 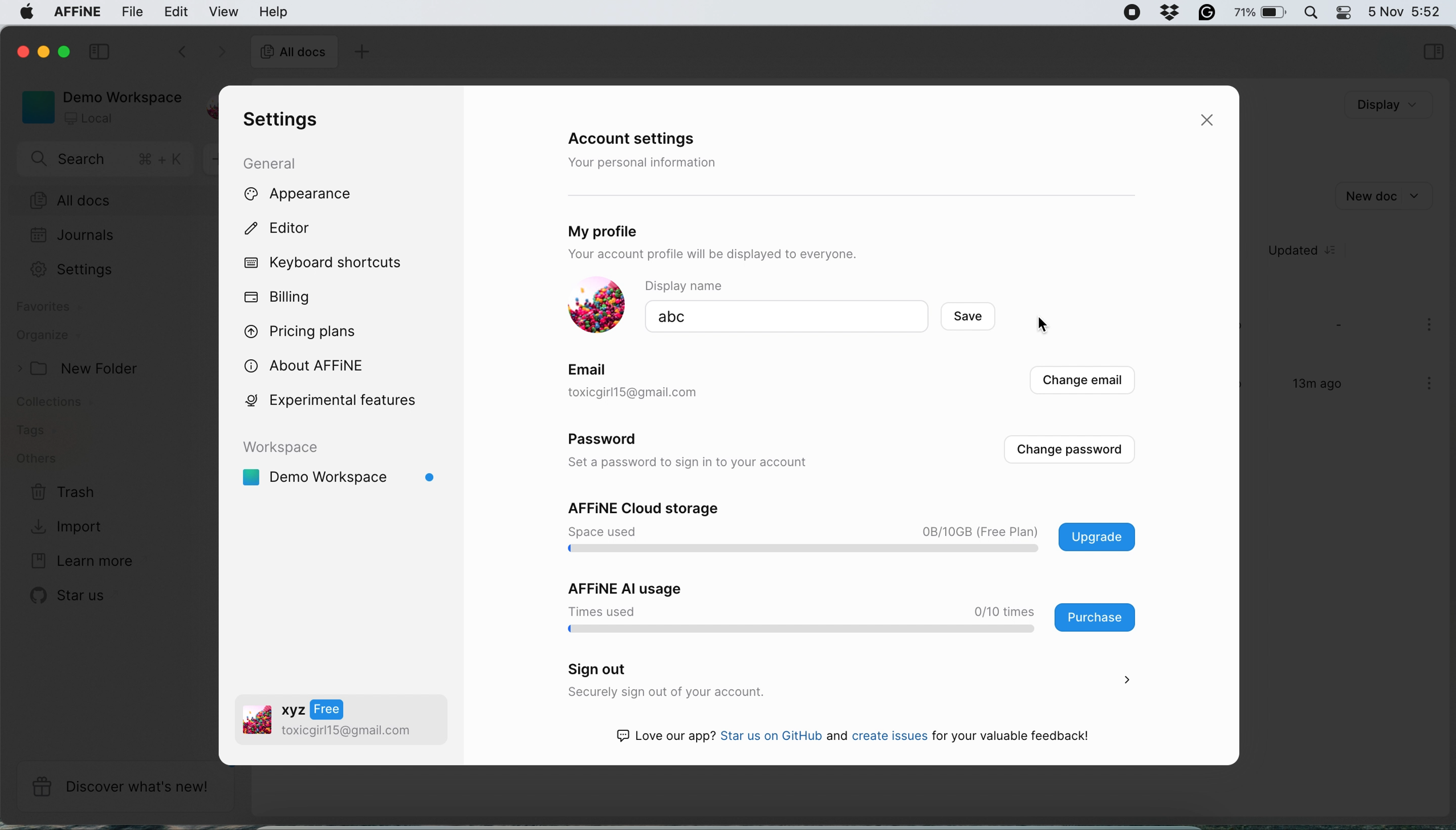 What do you see at coordinates (981, 318) in the screenshot?
I see `Save` at bounding box center [981, 318].